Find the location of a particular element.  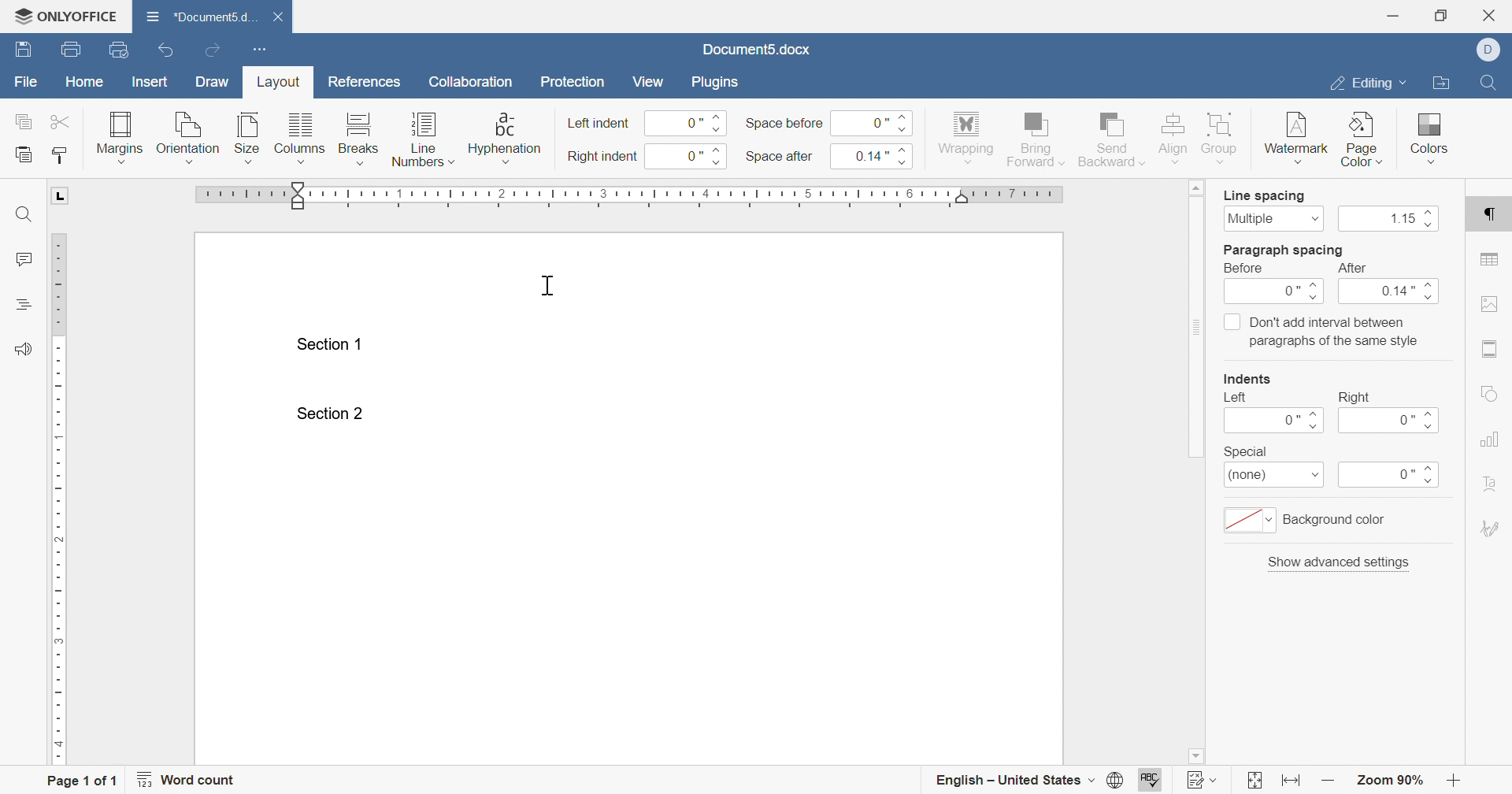

page 1 of 1 is located at coordinates (86, 779).